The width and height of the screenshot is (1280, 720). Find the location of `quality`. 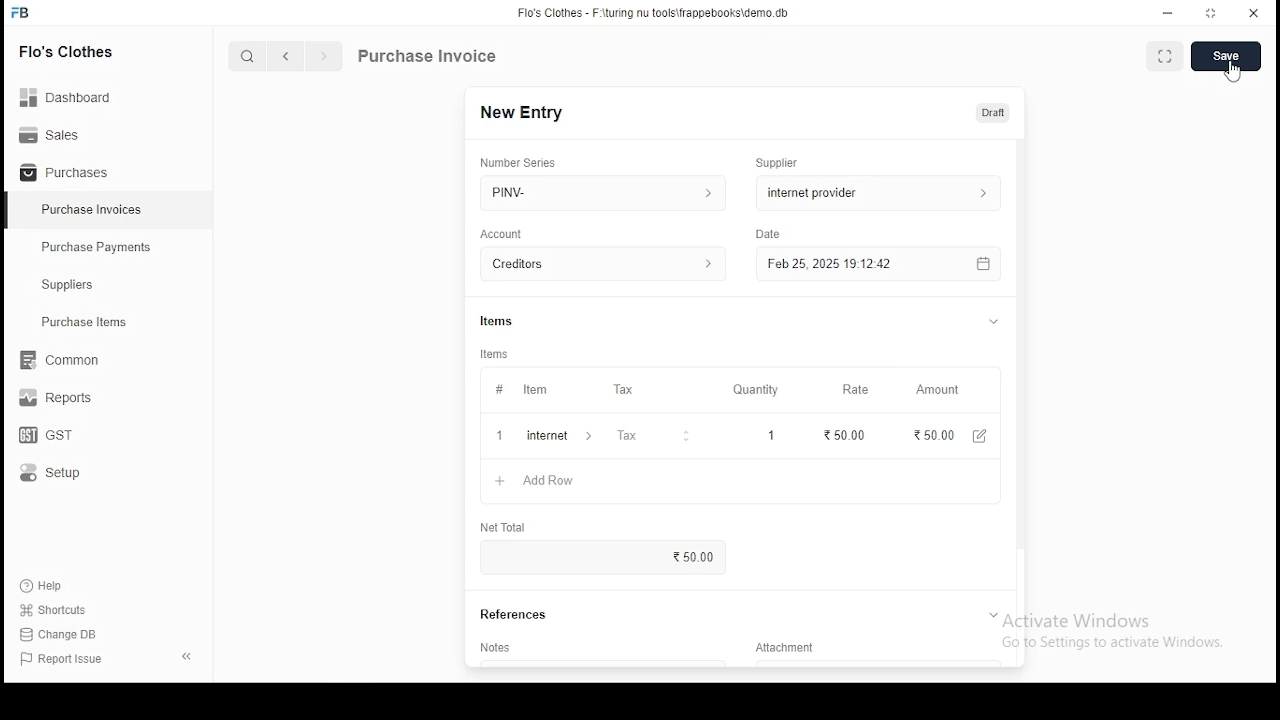

quality is located at coordinates (756, 390).